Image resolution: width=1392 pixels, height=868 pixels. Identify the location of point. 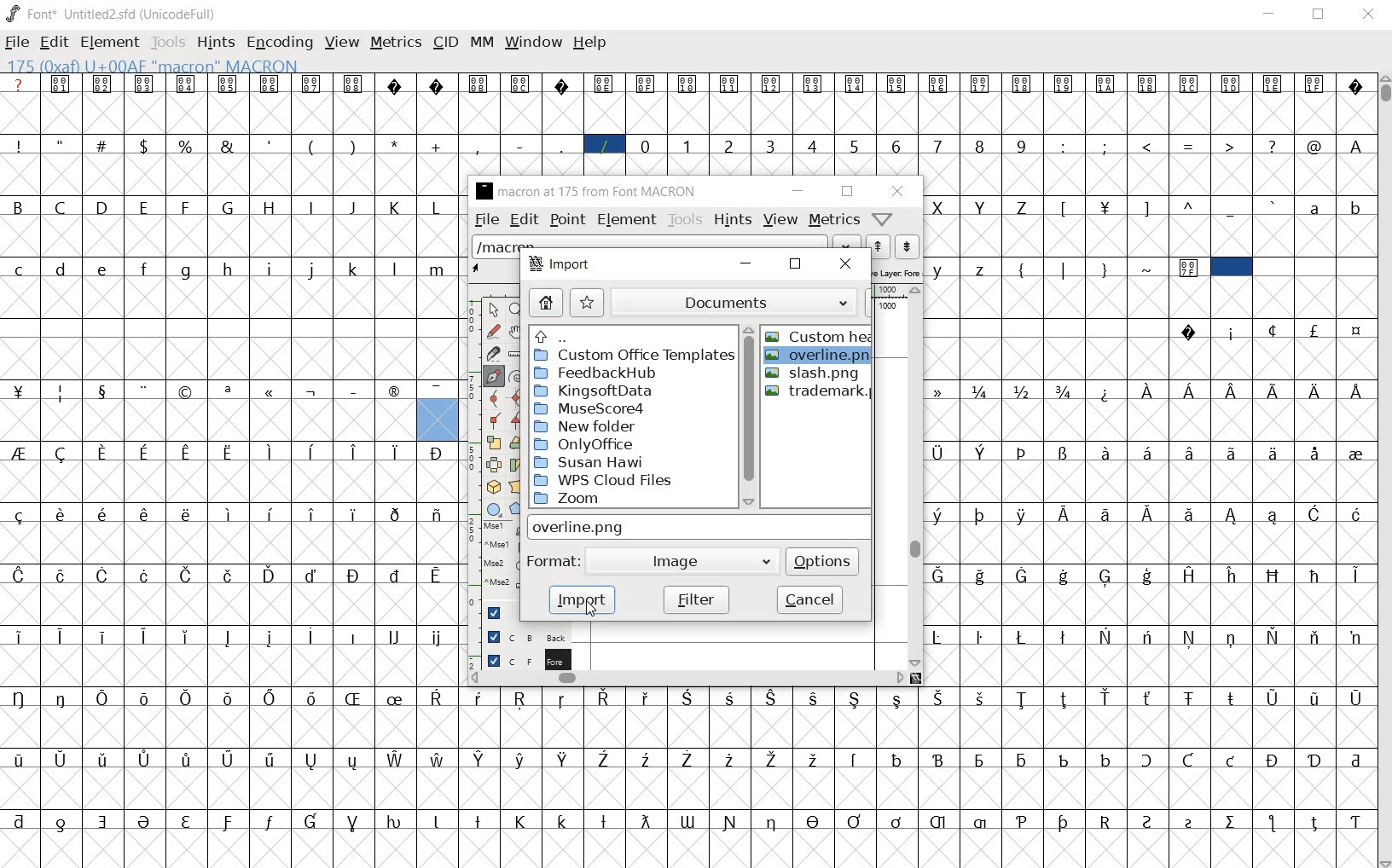
(565, 221).